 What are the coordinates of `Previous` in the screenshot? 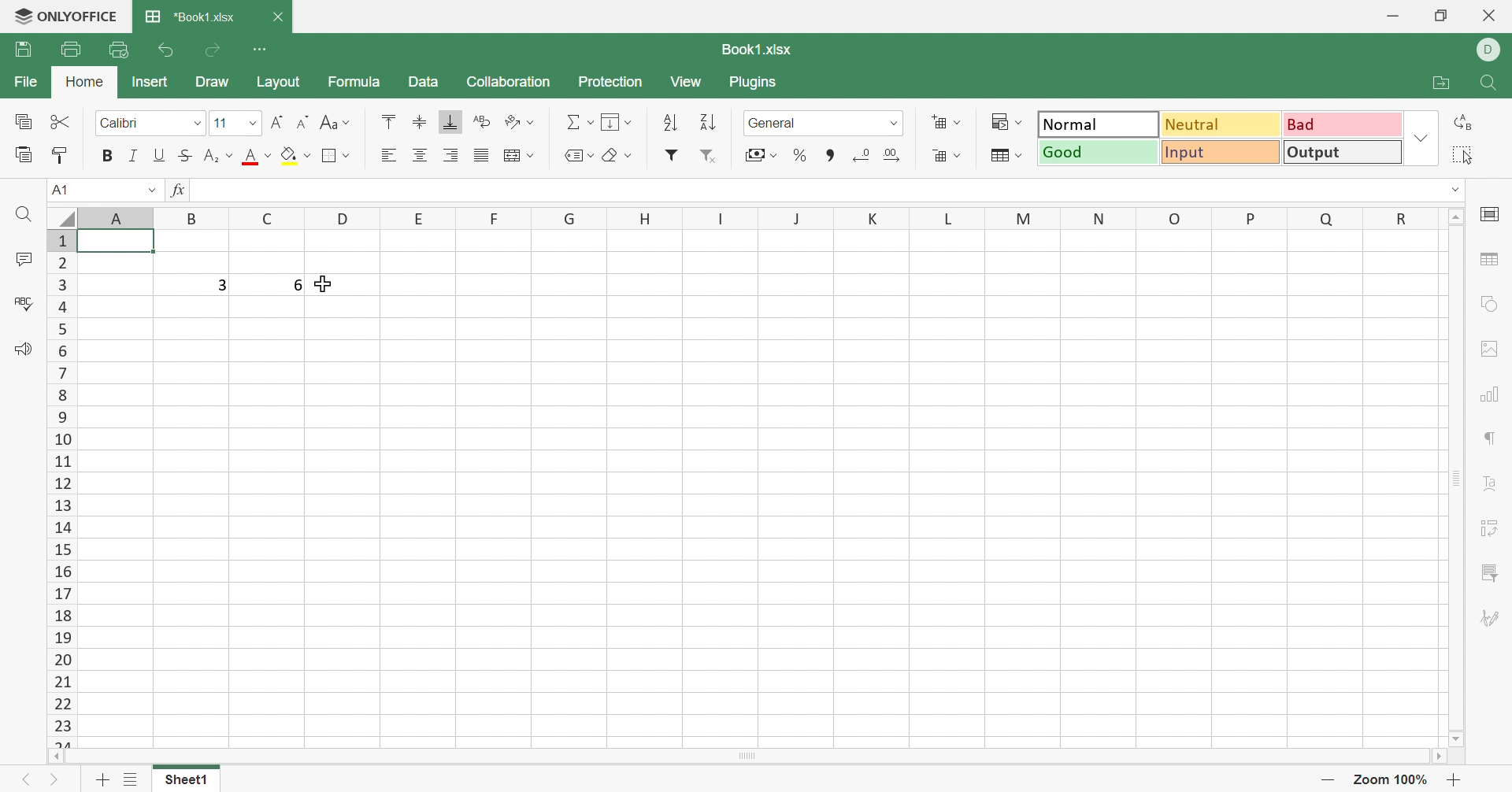 It's located at (27, 780).